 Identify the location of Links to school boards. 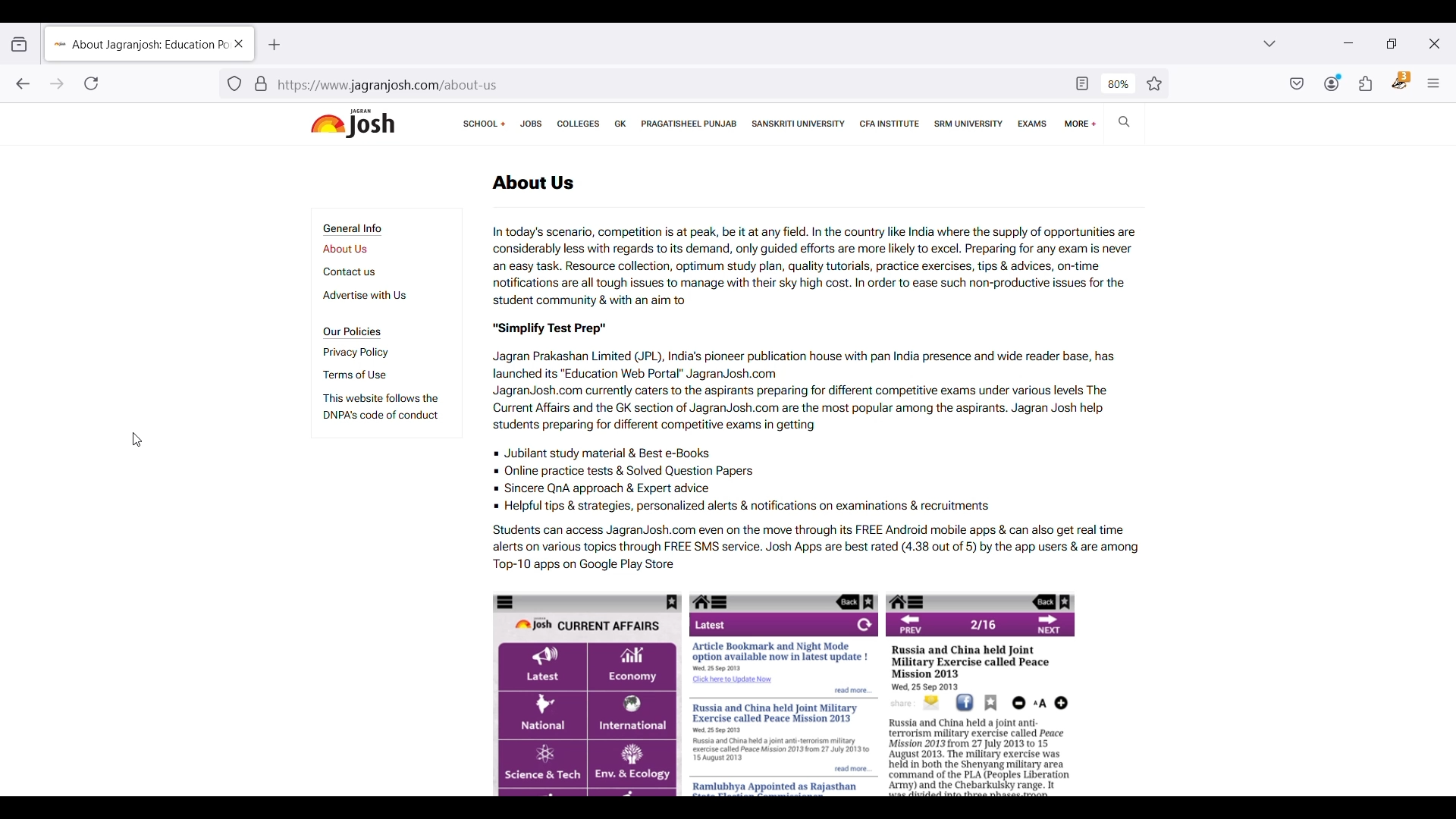
(485, 123).